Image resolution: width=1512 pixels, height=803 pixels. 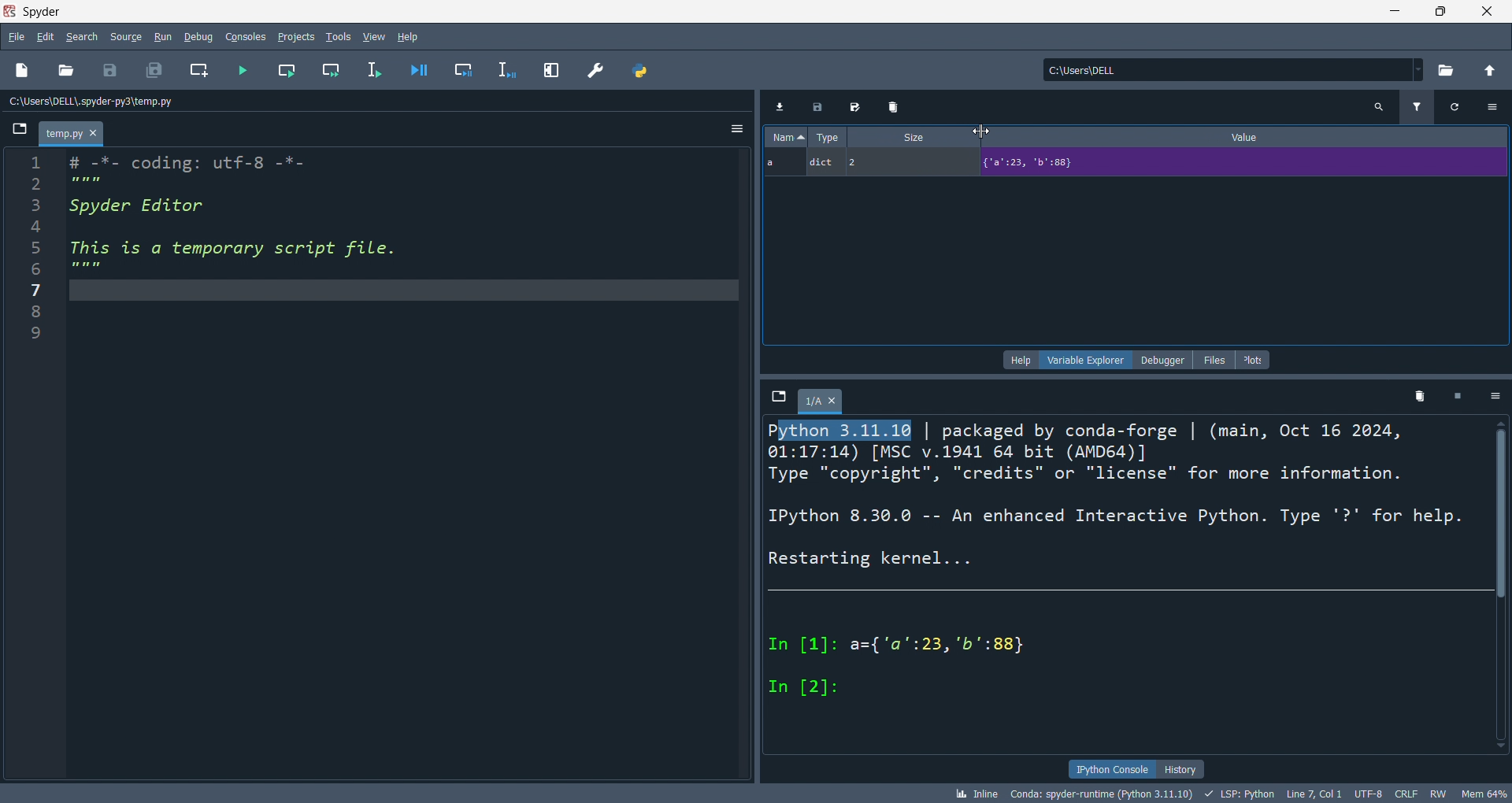 What do you see at coordinates (756, 794) in the screenshot?
I see `file data` at bounding box center [756, 794].